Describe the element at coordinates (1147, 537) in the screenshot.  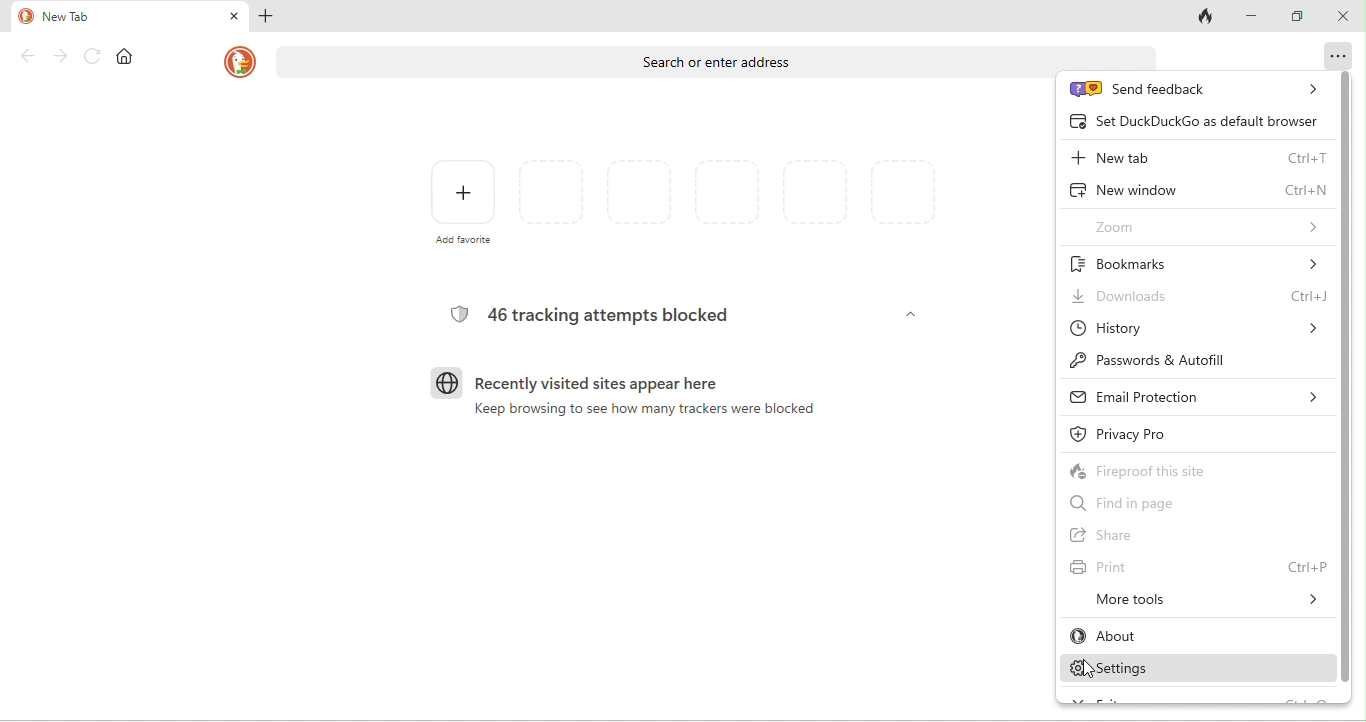
I see `share` at that location.